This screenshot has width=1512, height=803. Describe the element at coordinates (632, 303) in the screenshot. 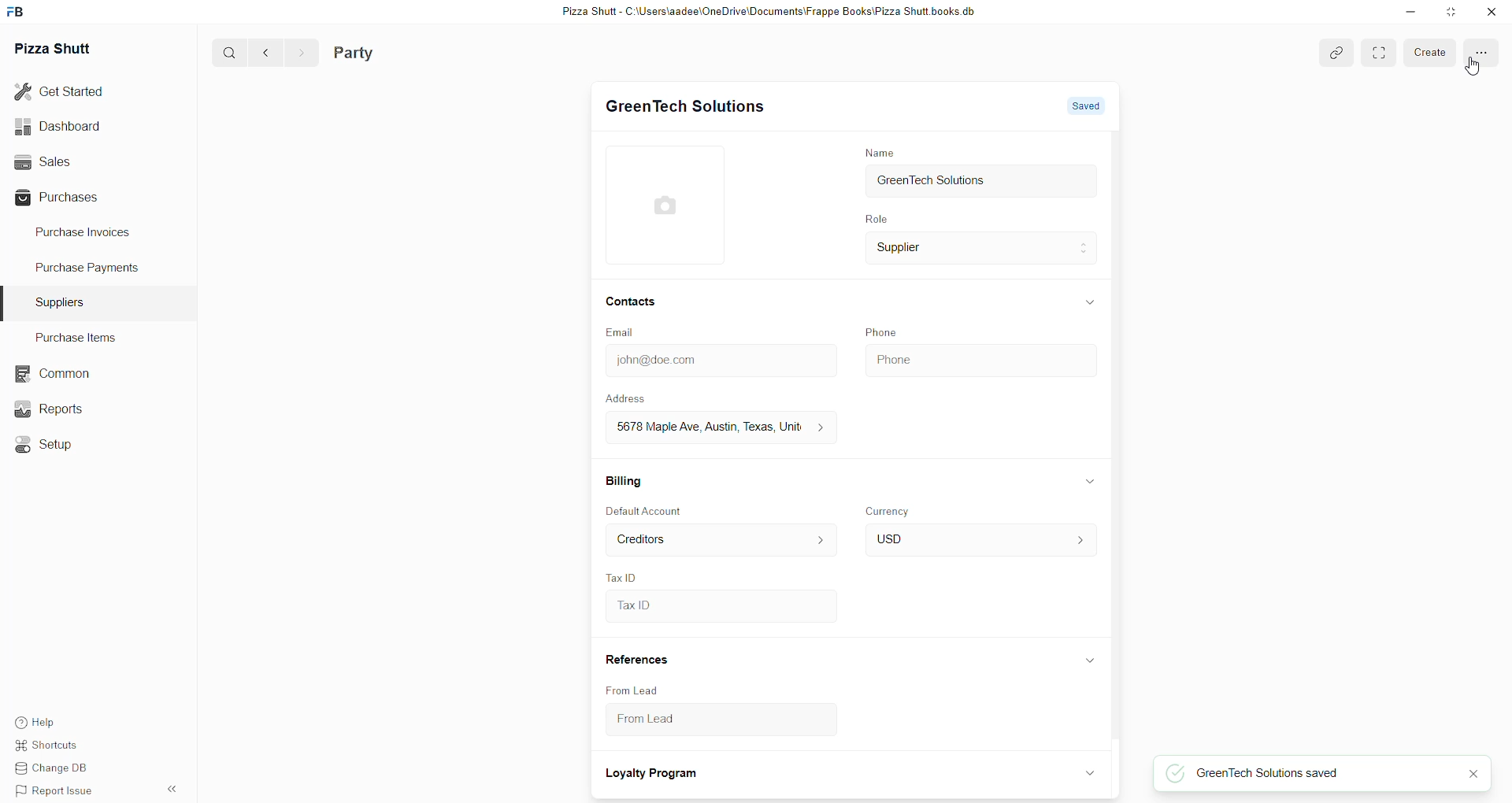

I see `Contacts` at that location.